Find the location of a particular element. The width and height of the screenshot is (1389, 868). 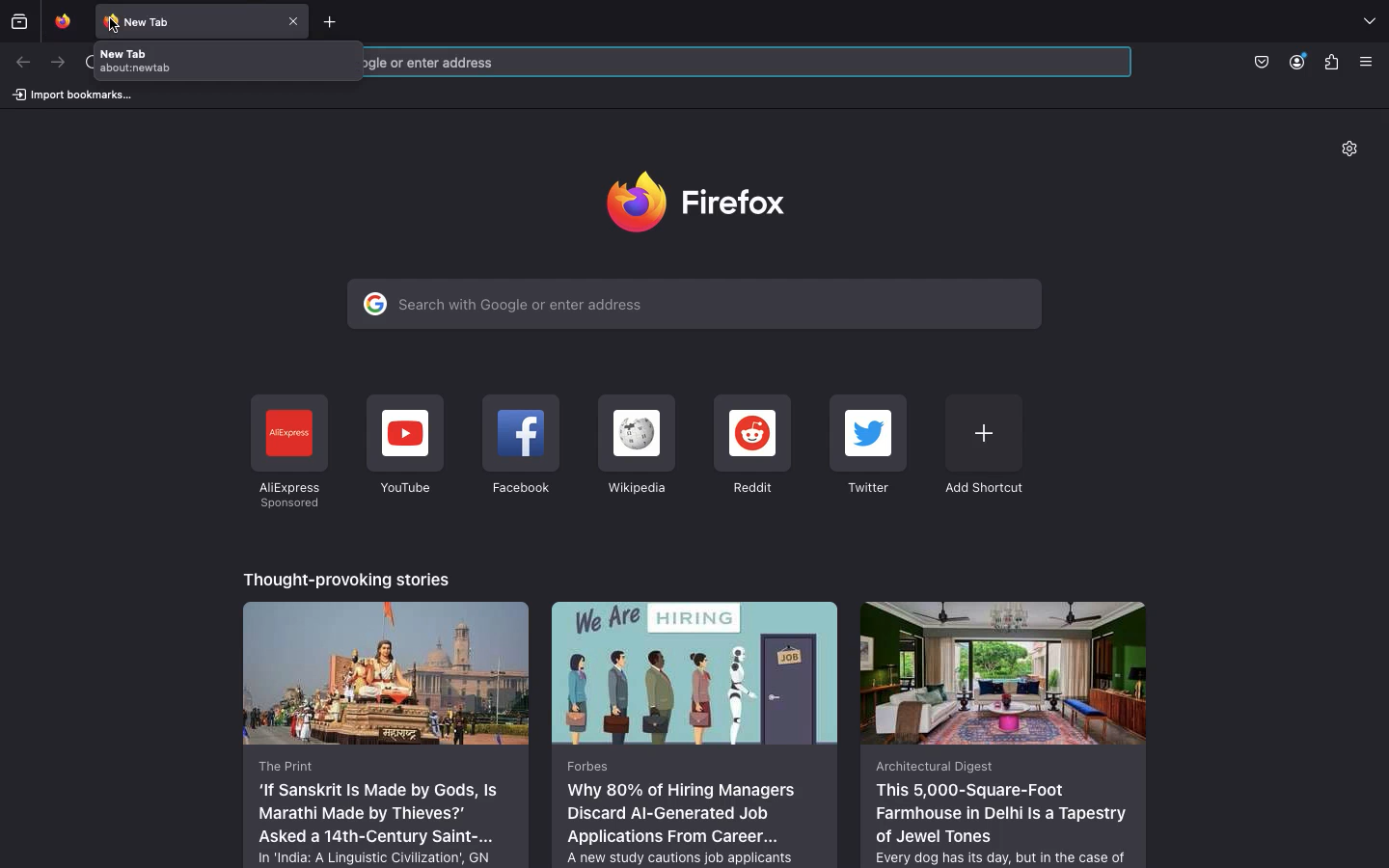

Next page is located at coordinates (56, 63).